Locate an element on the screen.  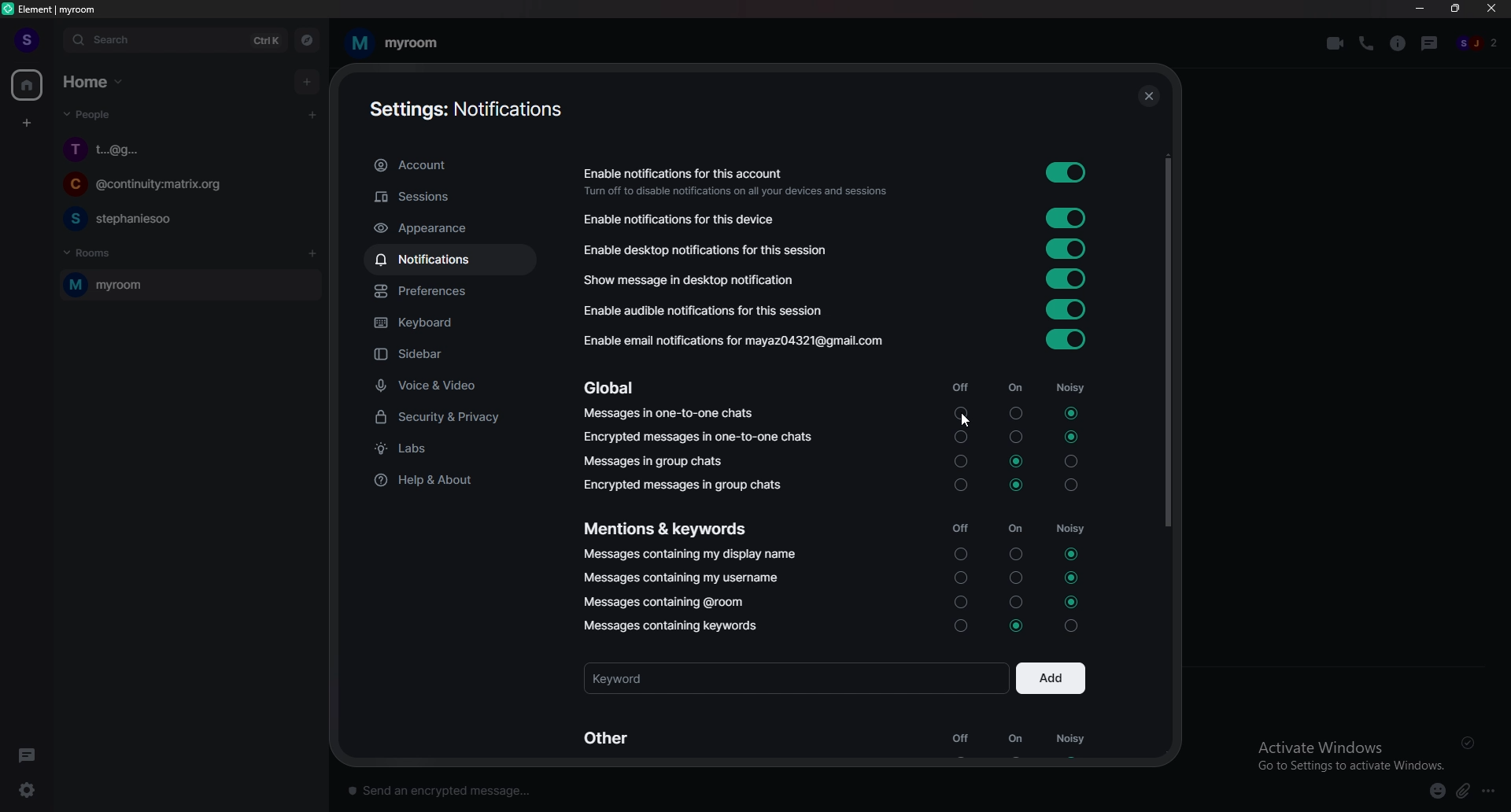
add is located at coordinates (305, 83).